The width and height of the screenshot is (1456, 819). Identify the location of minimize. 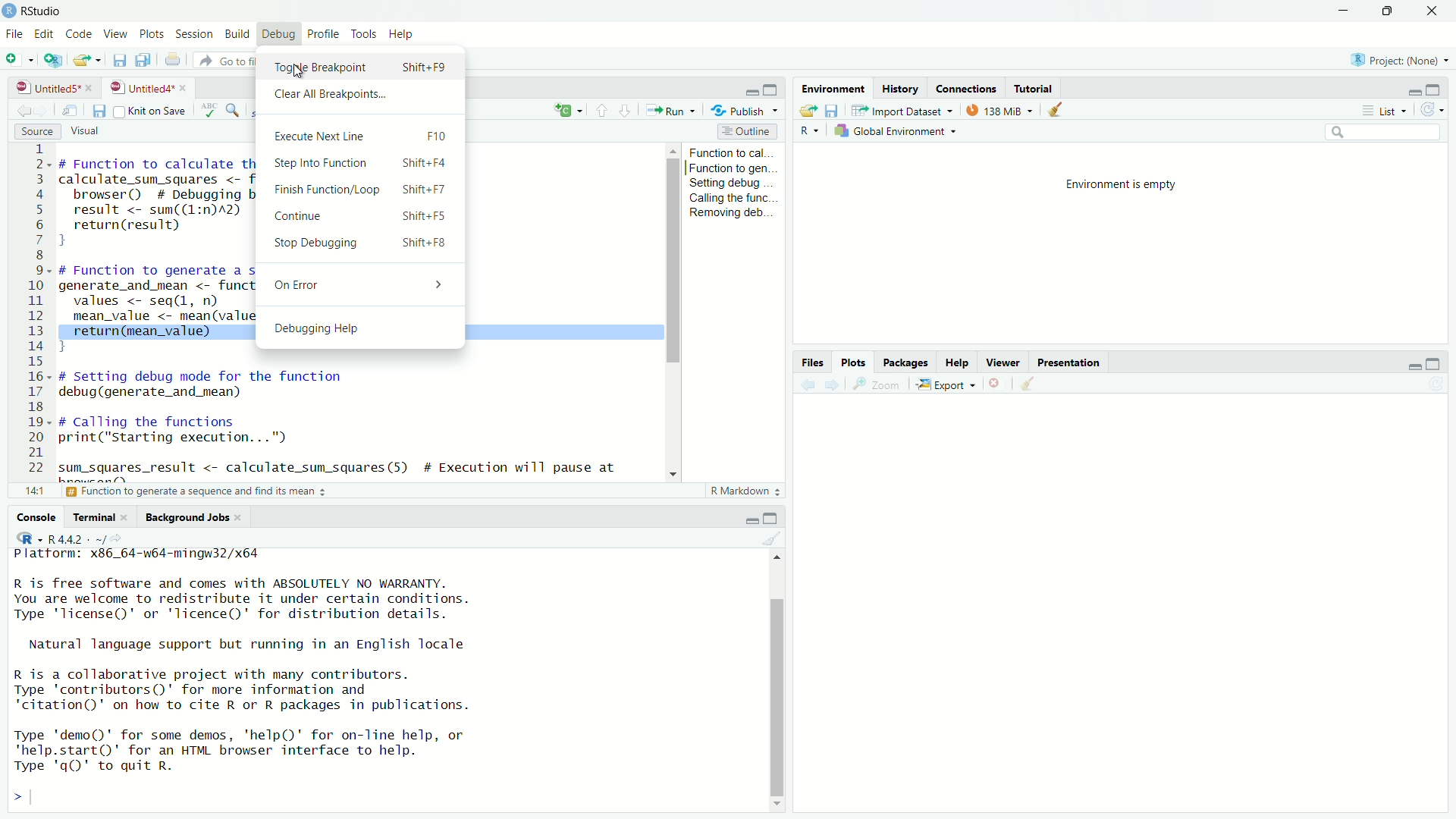
(1407, 363).